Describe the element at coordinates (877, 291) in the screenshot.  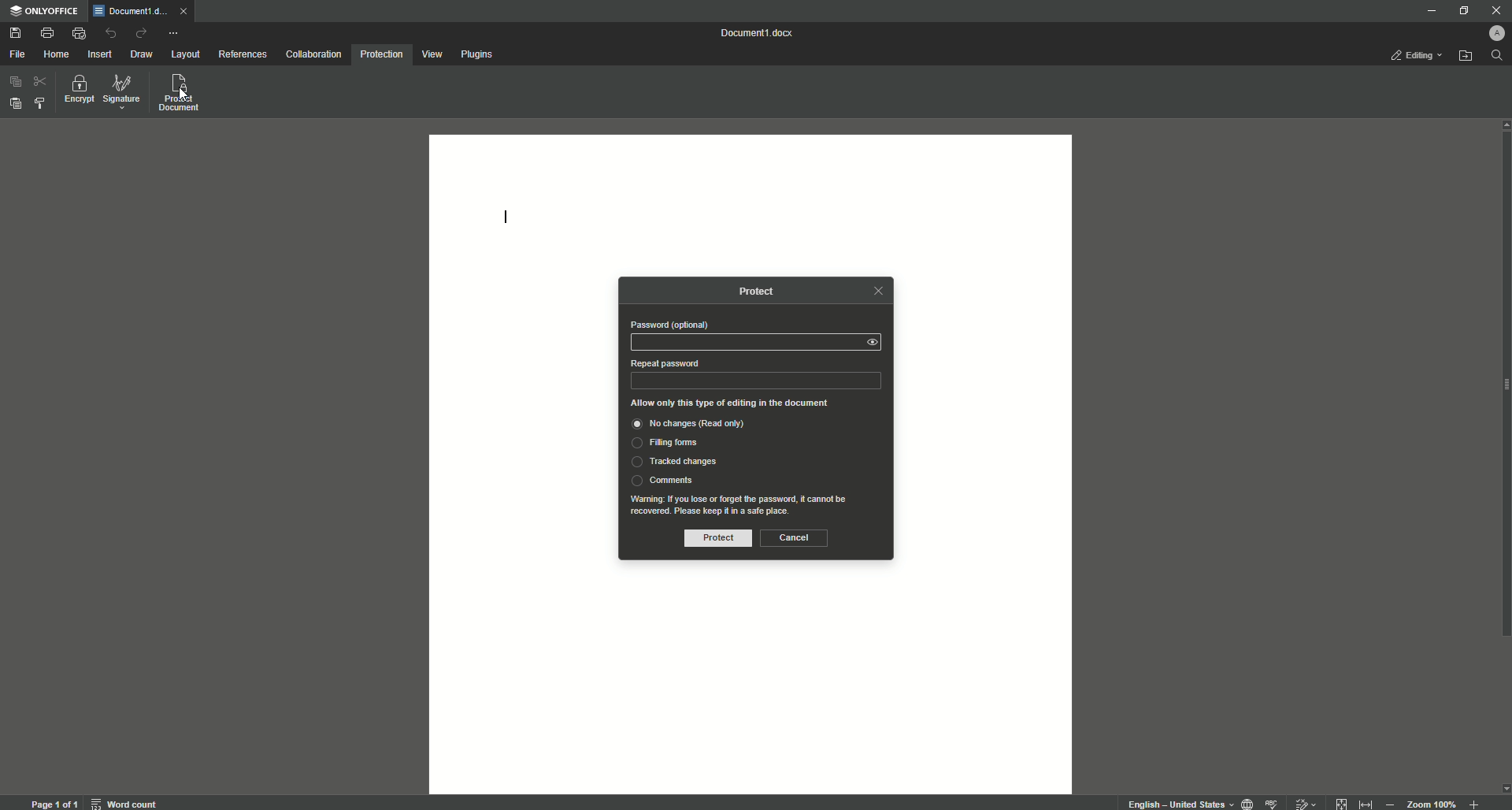
I see `close` at that location.